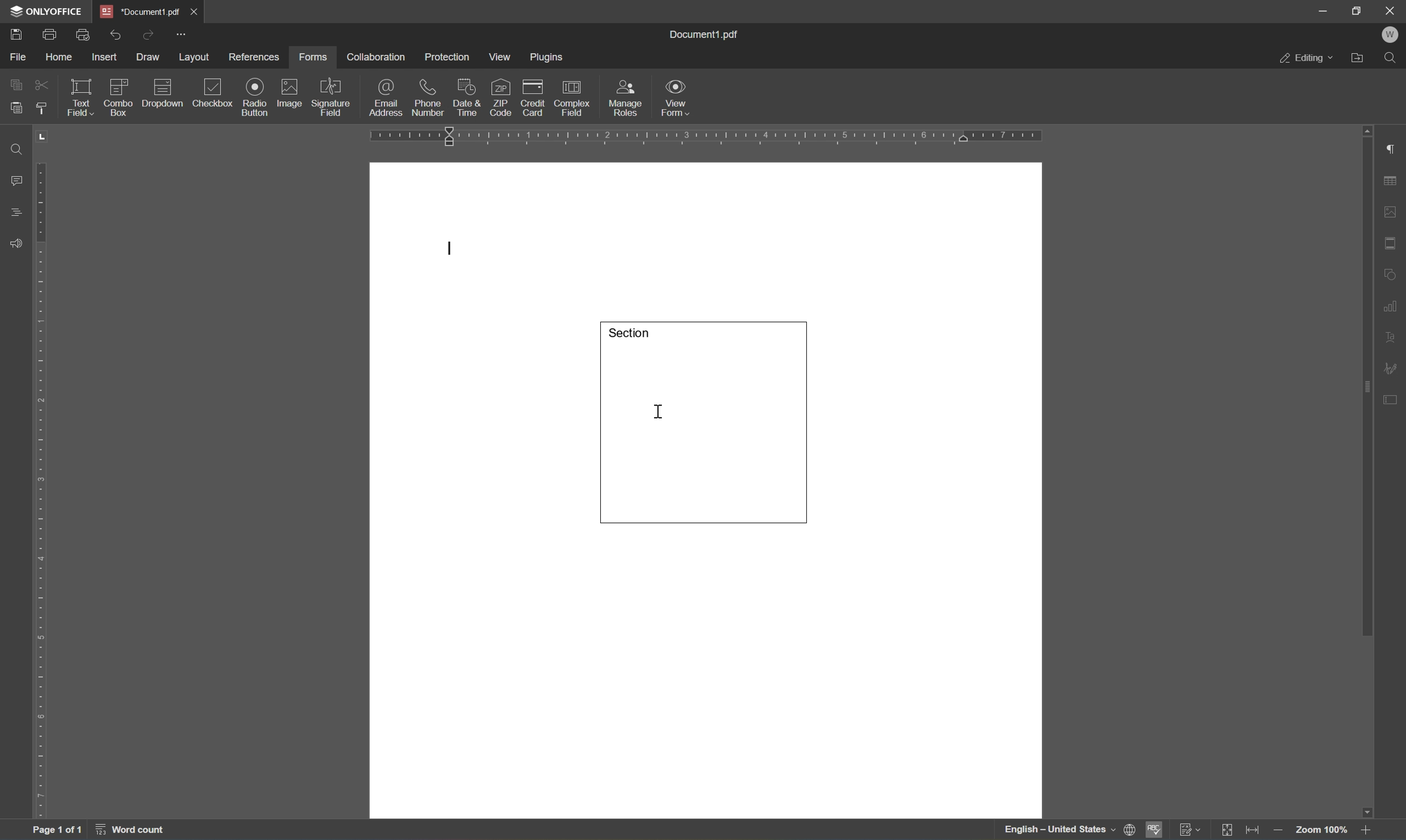  Describe the element at coordinates (1366, 381) in the screenshot. I see `scroll bar` at that location.